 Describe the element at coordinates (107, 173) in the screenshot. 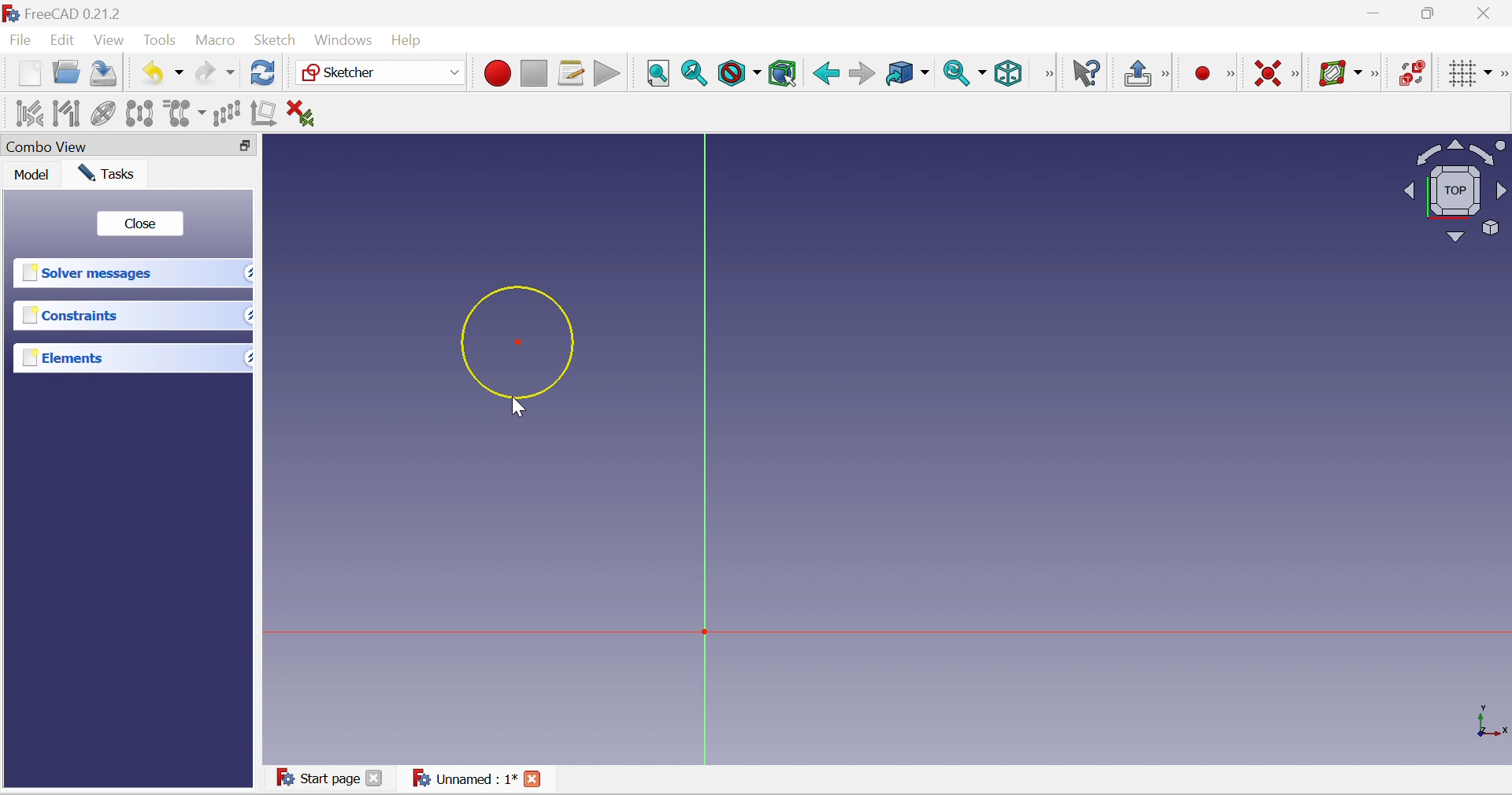

I see `Tasks` at that location.